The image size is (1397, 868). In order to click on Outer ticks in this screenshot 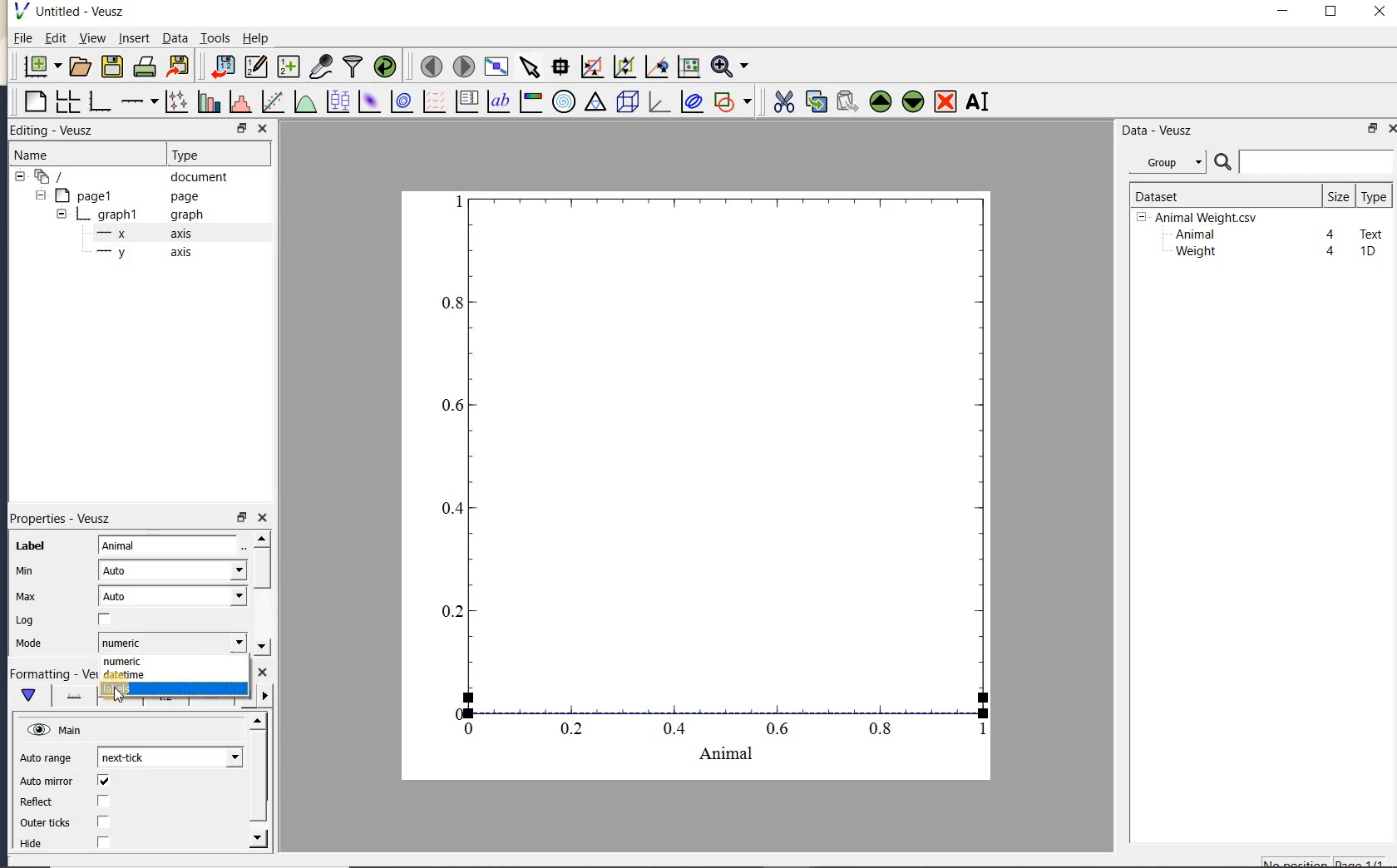, I will do `click(47, 822)`.